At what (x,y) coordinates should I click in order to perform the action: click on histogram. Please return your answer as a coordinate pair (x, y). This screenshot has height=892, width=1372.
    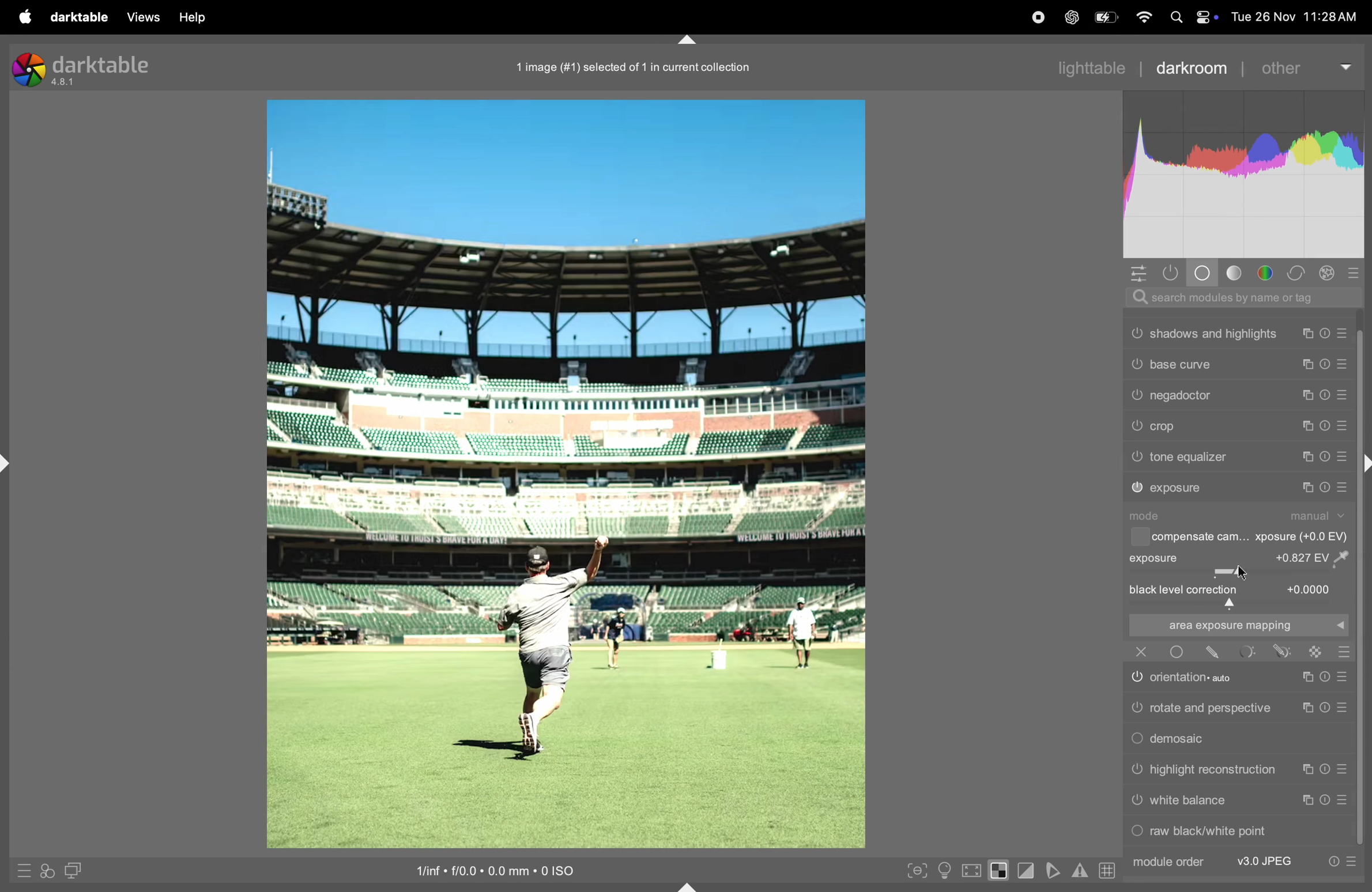
    Looking at the image, I should click on (1245, 174).